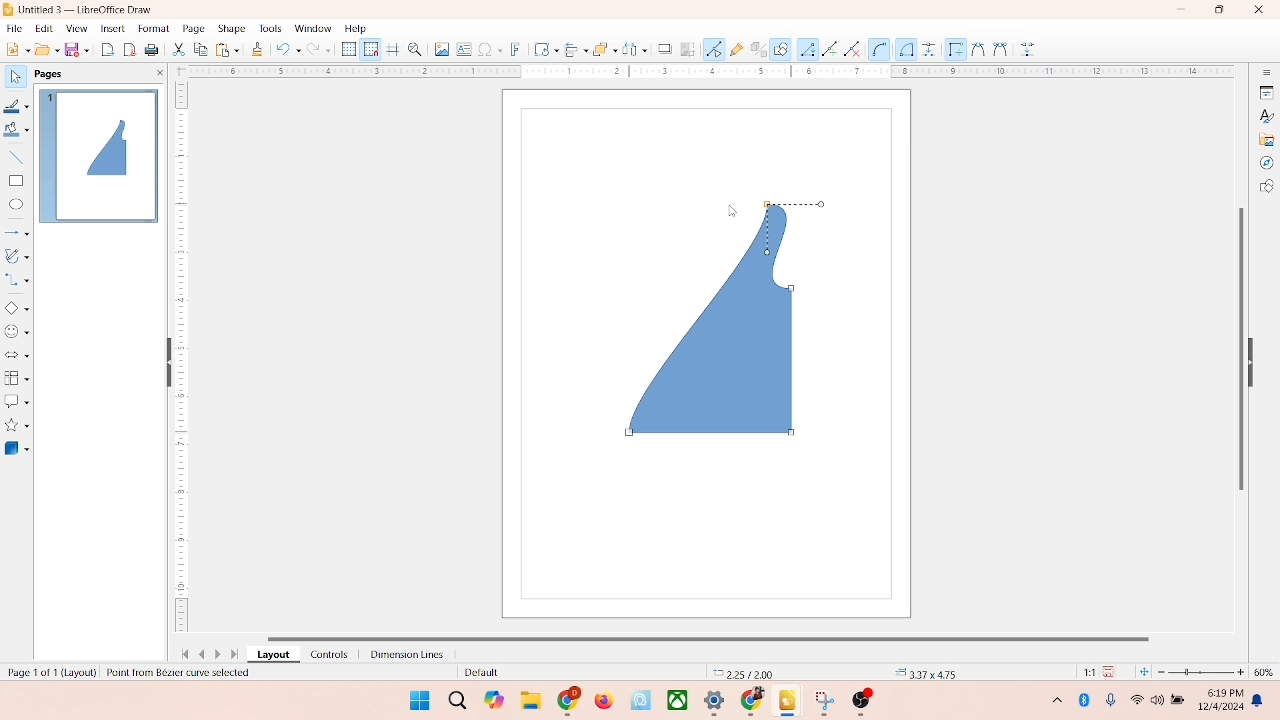 The height and width of the screenshot is (720, 1280). What do you see at coordinates (392, 50) in the screenshot?
I see `helplines` at bounding box center [392, 50].